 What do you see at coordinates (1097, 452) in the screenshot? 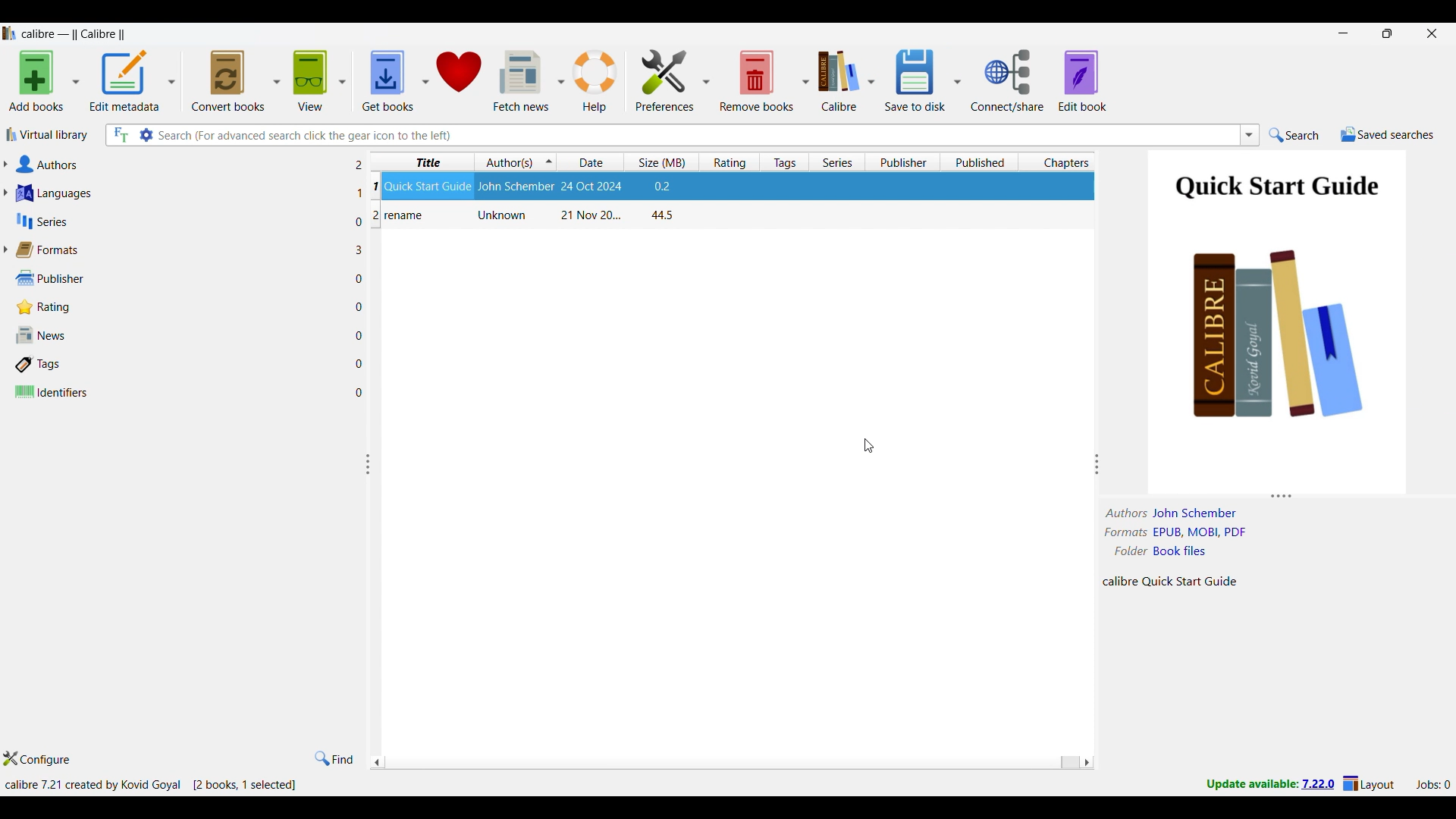
I see `Change width of panels attahed to this line` at bounding box center [1097, 452].